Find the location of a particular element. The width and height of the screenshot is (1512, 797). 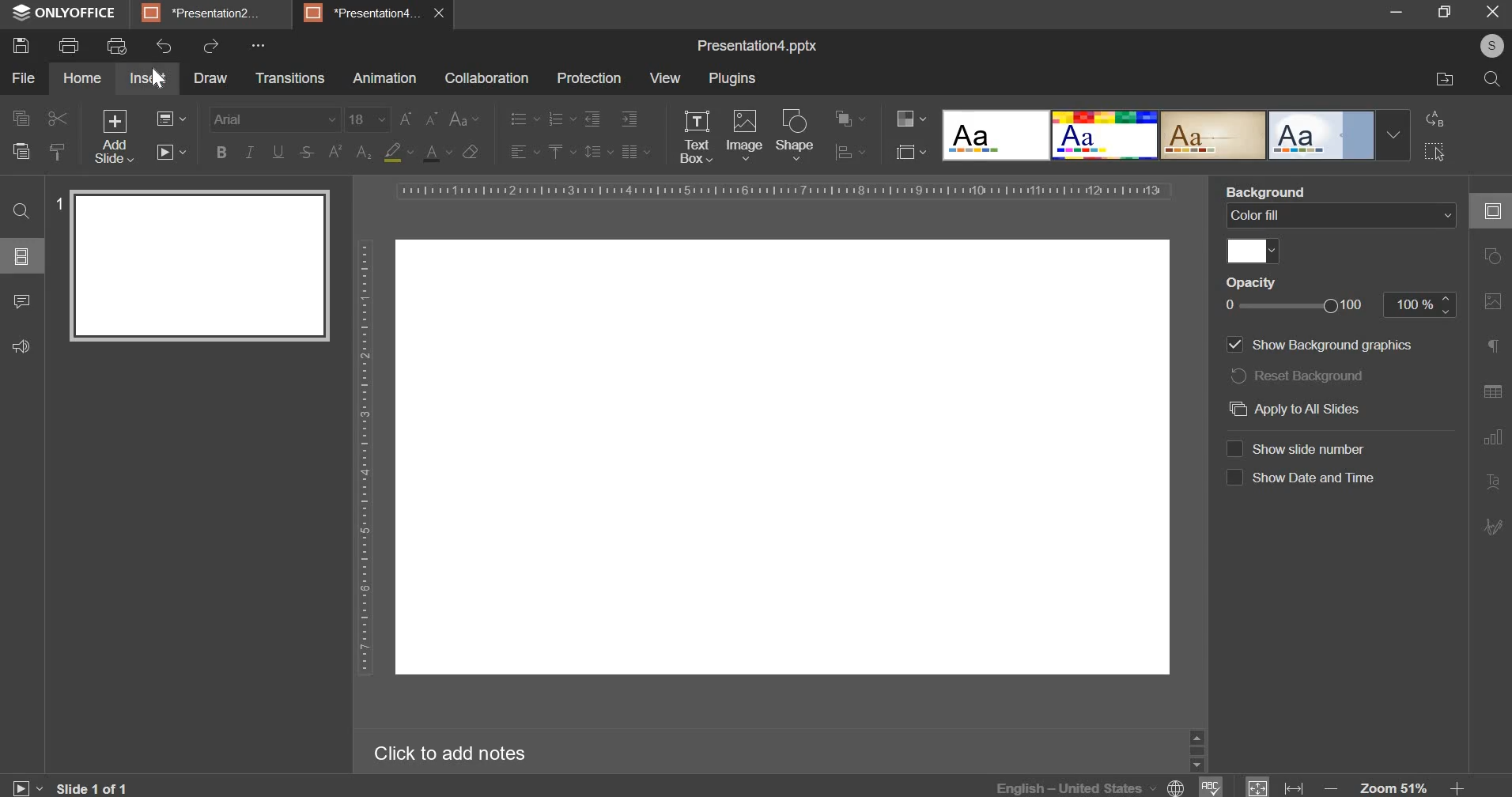

scroll bar is located at coordinates (1198, 749).